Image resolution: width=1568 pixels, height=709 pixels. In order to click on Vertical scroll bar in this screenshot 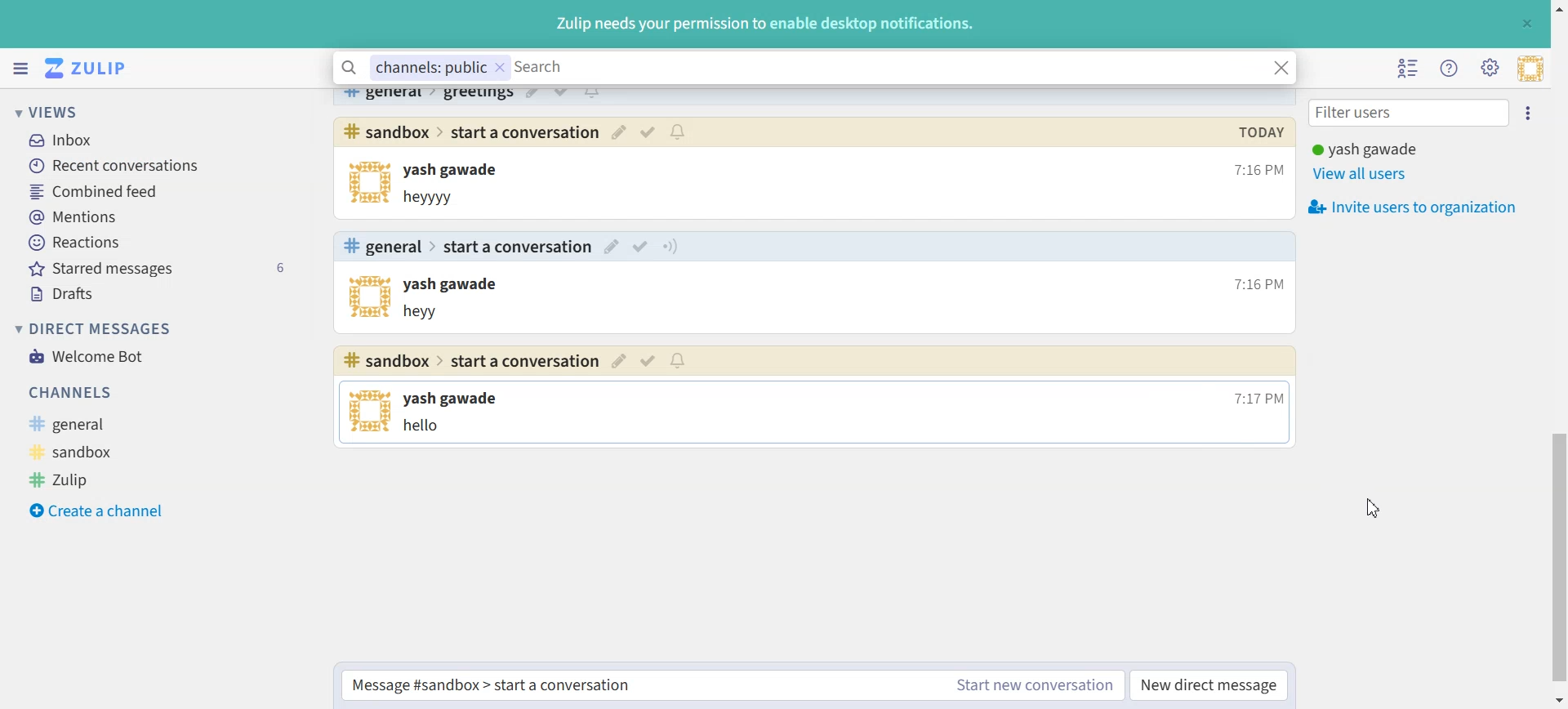, I will do `click(1558, 354)`.